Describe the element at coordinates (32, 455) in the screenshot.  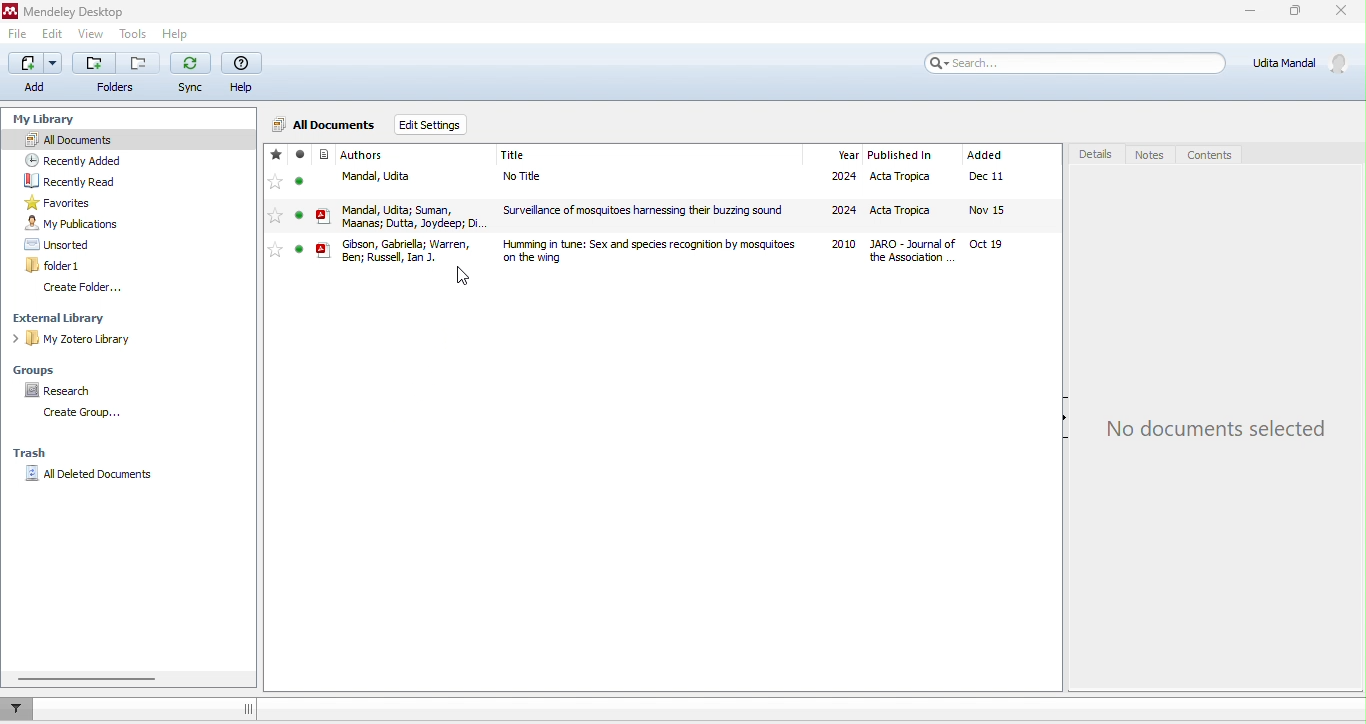
I see `trash` at that location.